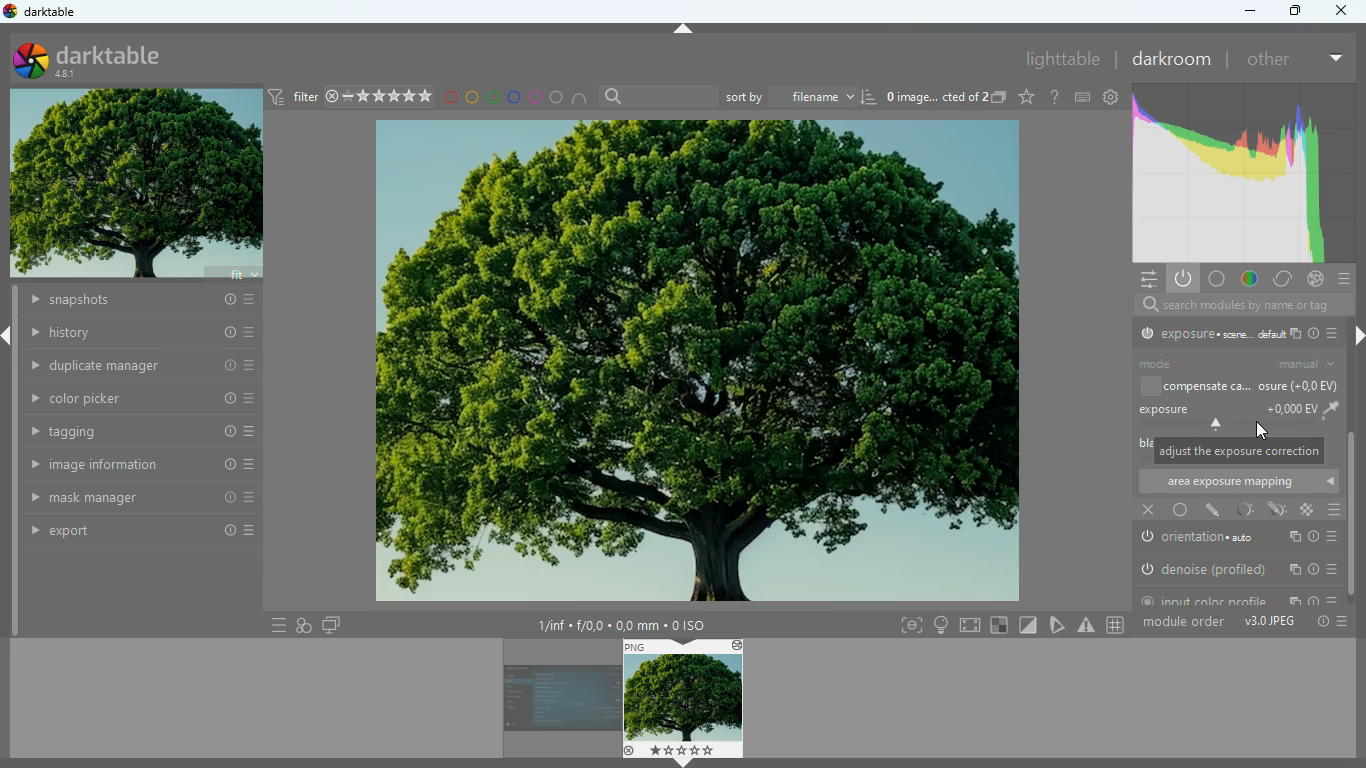 This screenshot has width=1366, height=768. Describe the element at coordinates (1235, 304) in the screenshot. I see `search` at that location.